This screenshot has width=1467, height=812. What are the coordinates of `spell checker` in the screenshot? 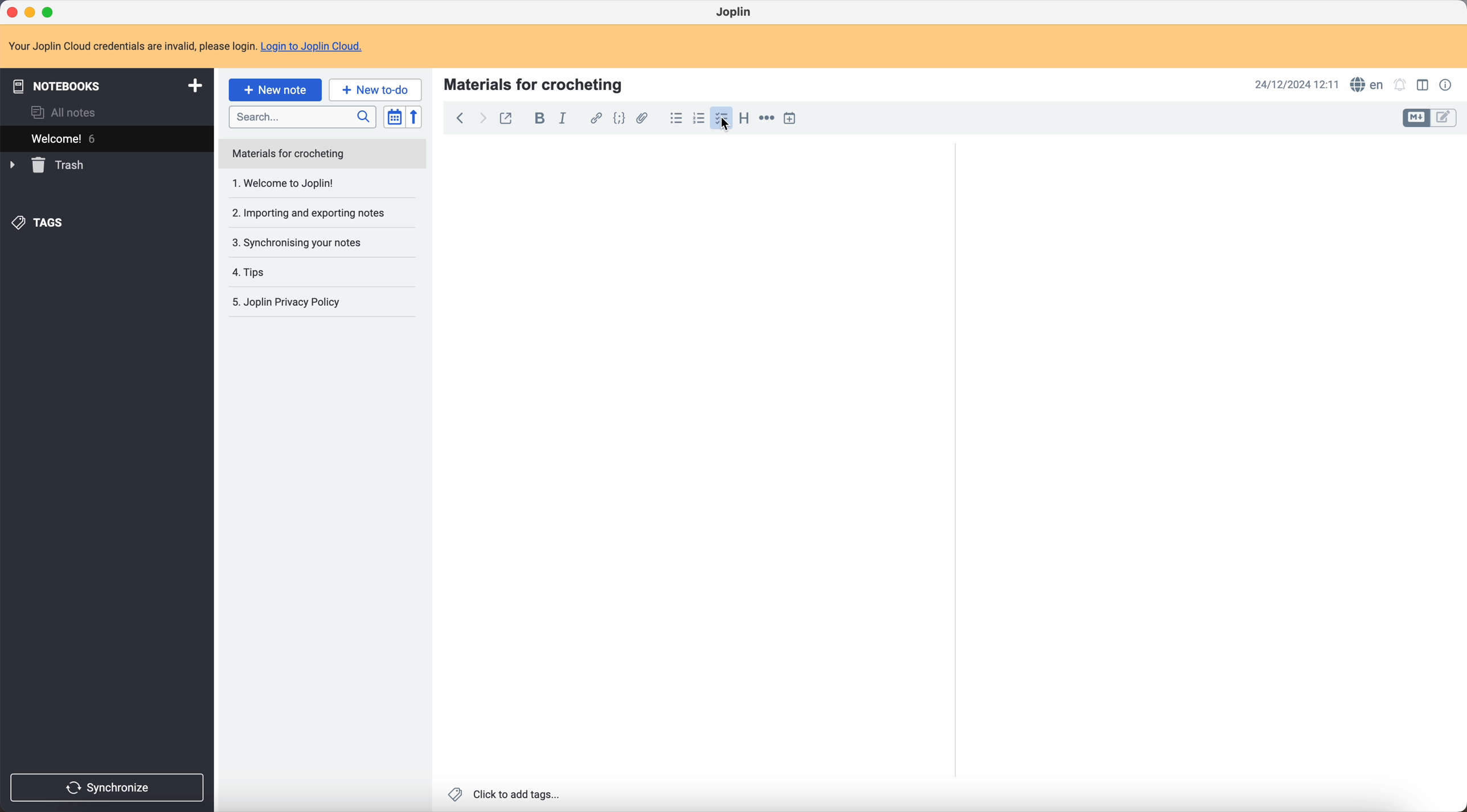 It's located at (1365, 84).